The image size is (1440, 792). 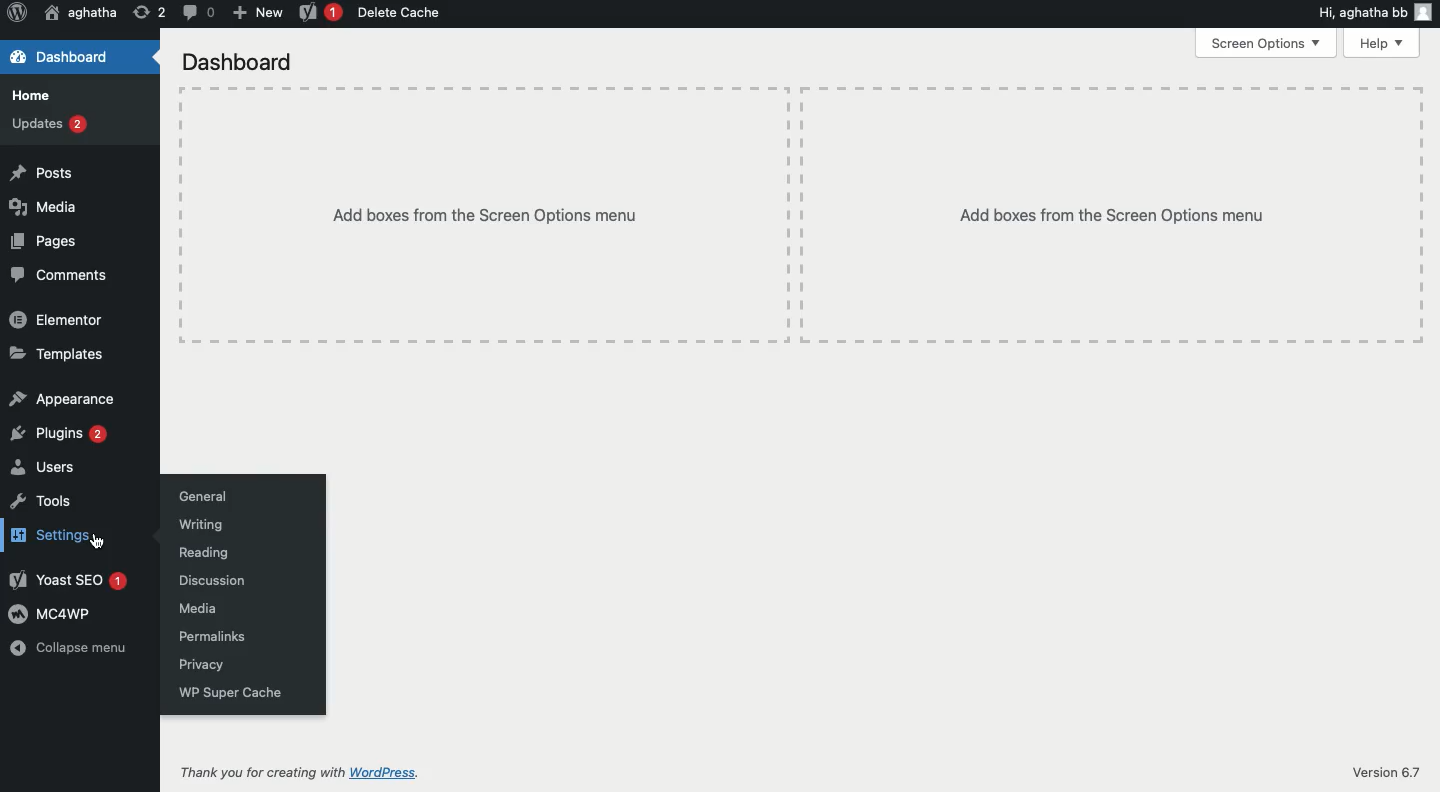 What do you see at coordinates (1113, 217) in the screenshot?
I see `Add boxes from the Screen Options menu` at bounding box center [1113, 217].